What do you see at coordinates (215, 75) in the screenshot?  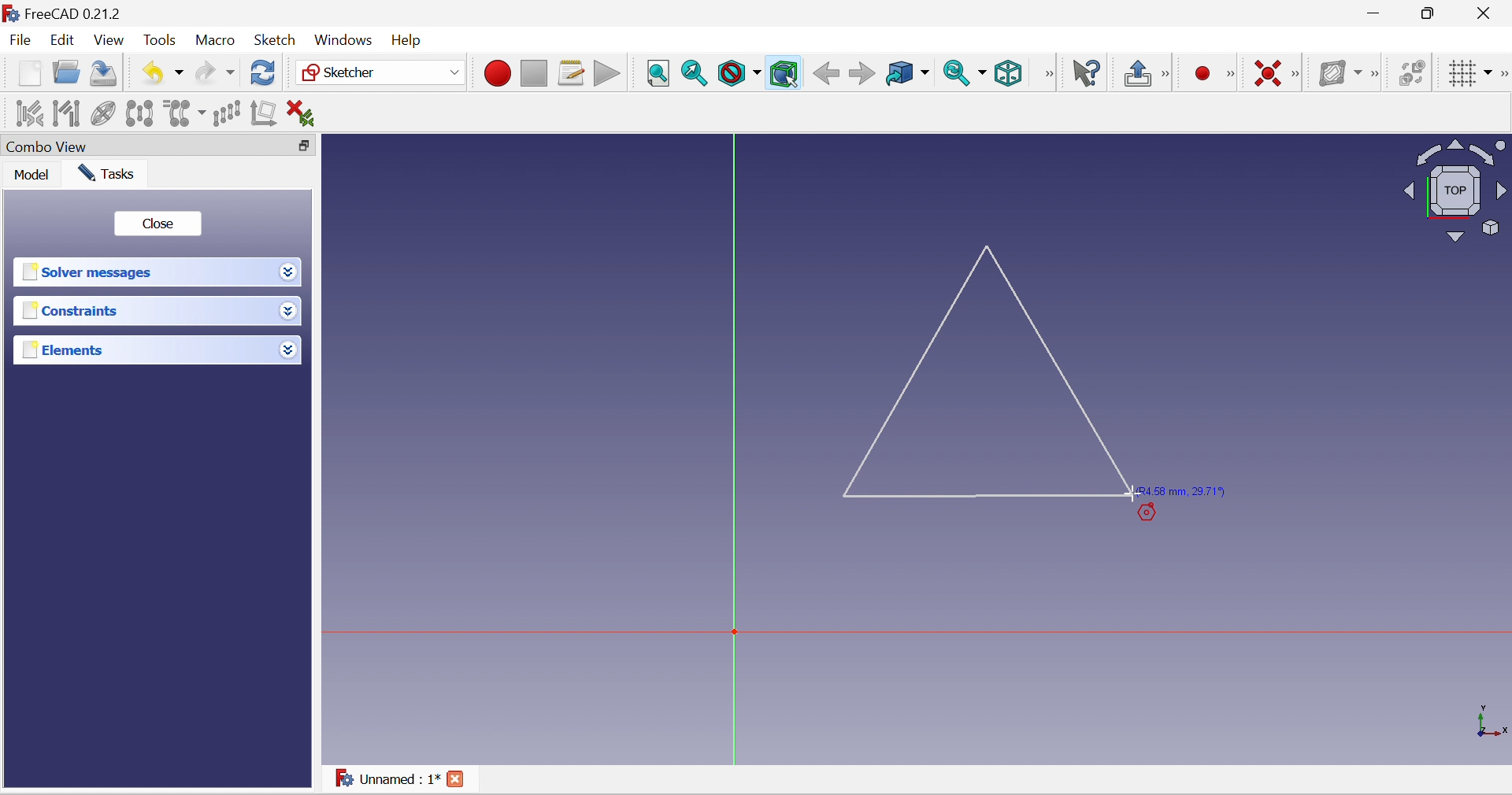 I see `Redo` at bounding box center [215, 75].